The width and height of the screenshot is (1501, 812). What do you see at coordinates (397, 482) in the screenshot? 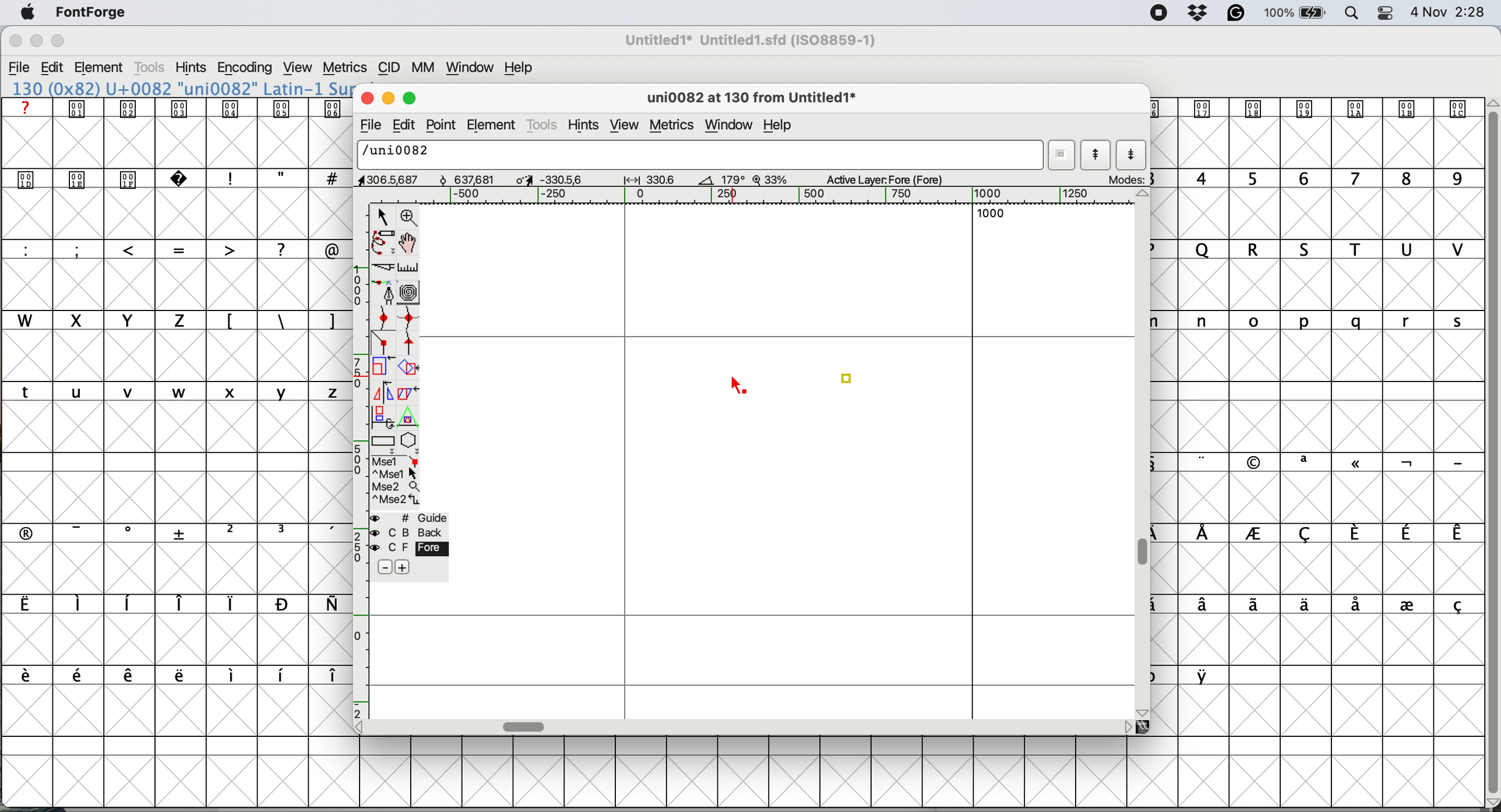
I see `selections` at bounding box center [397, 482].